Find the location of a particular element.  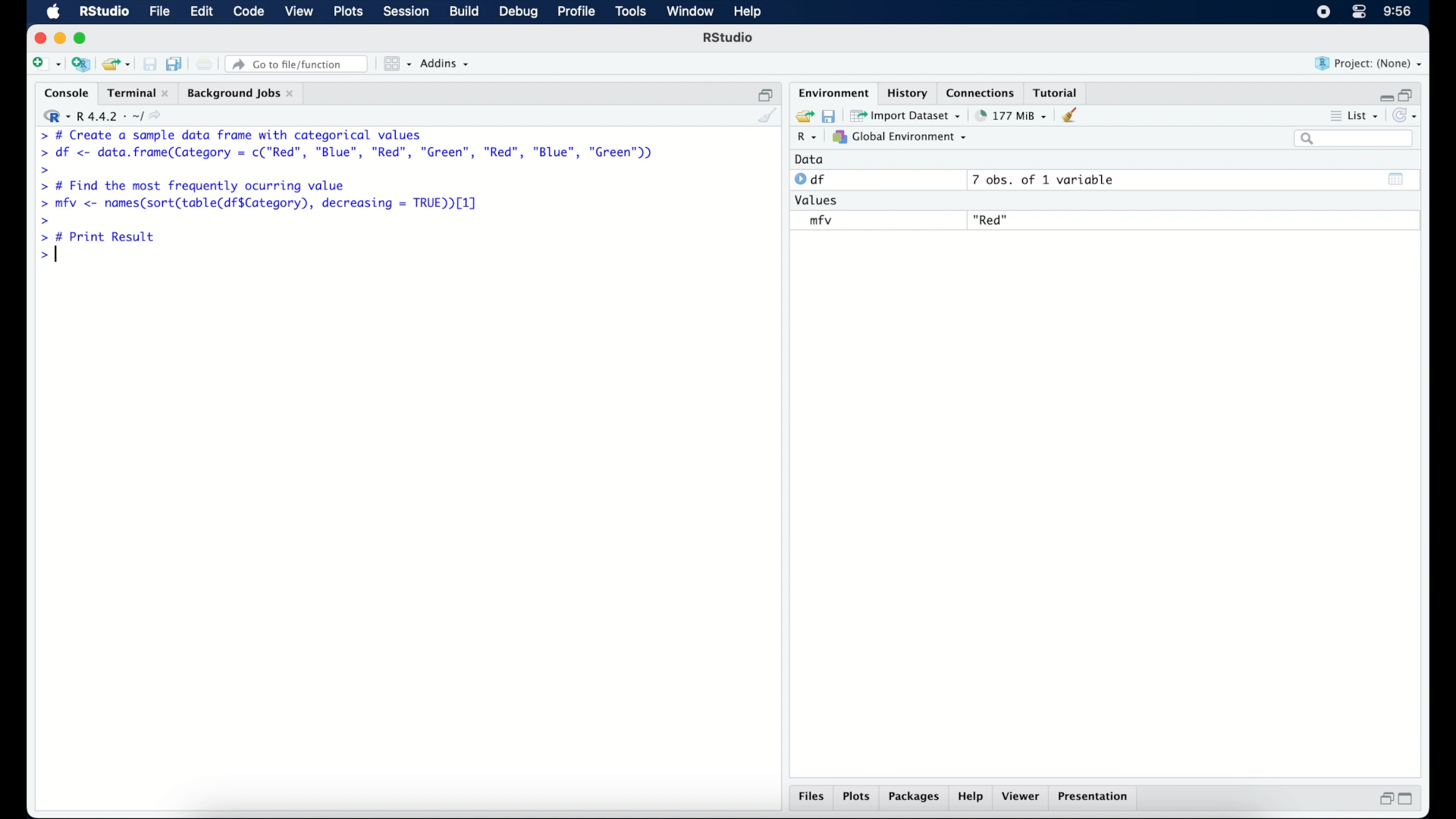

> mfv <- names(sort(table(df$Category), decreasing = TRUE [1] is located at coordinates (261, 204).